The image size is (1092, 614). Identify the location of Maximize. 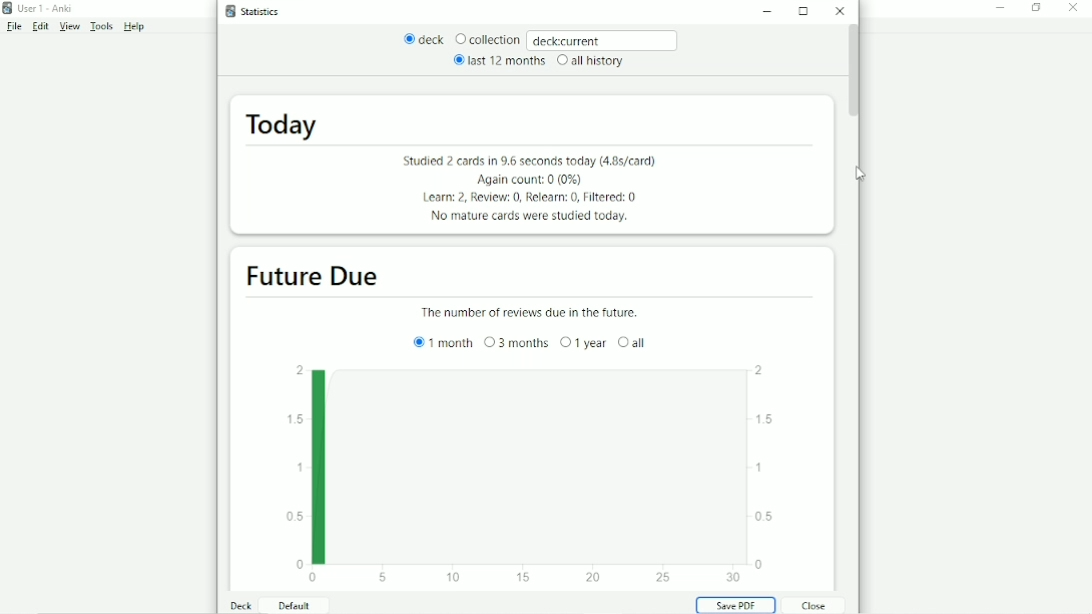
(805, 11).